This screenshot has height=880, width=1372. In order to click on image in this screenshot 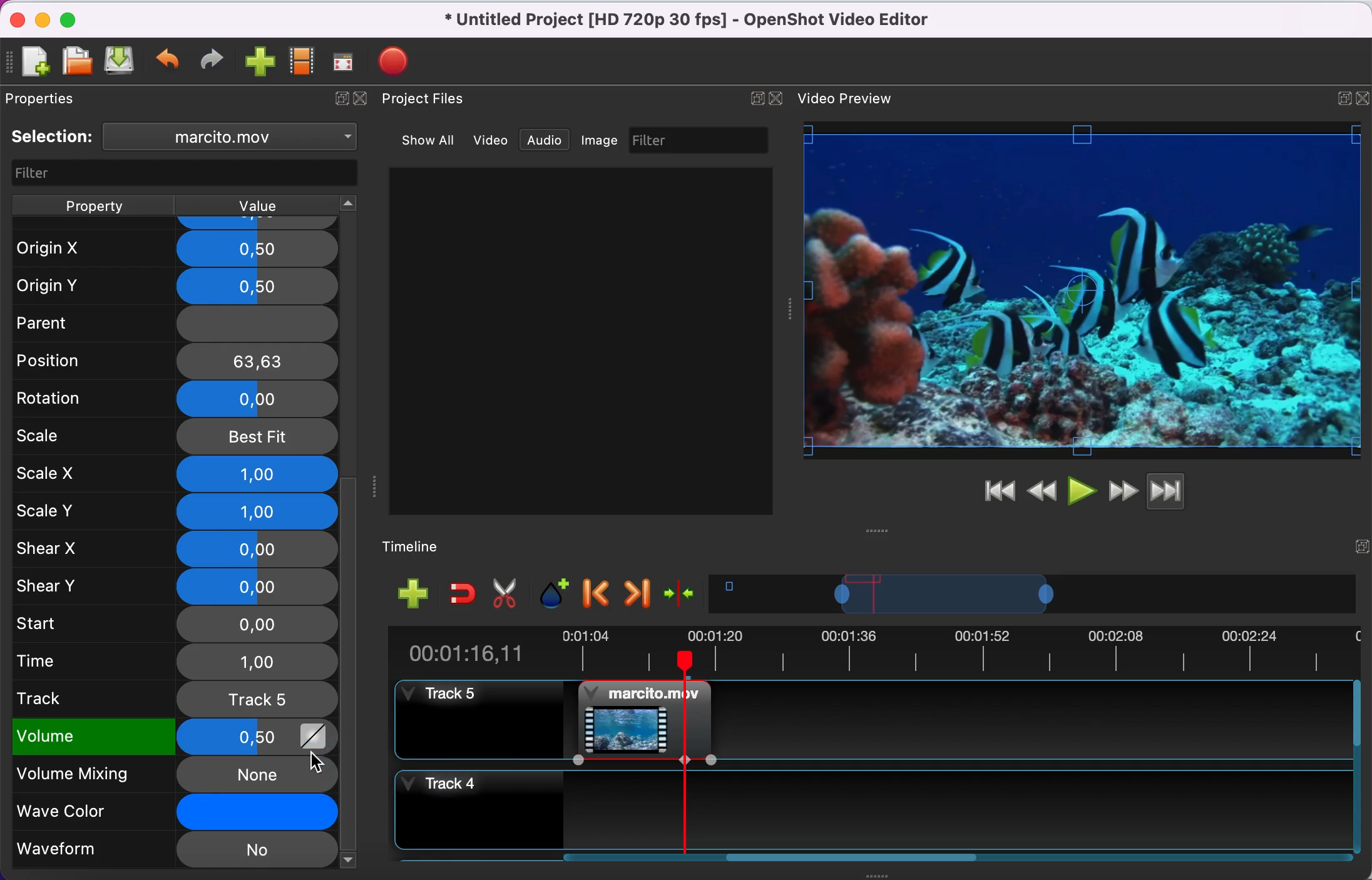, I will do `click(603, 141)`.